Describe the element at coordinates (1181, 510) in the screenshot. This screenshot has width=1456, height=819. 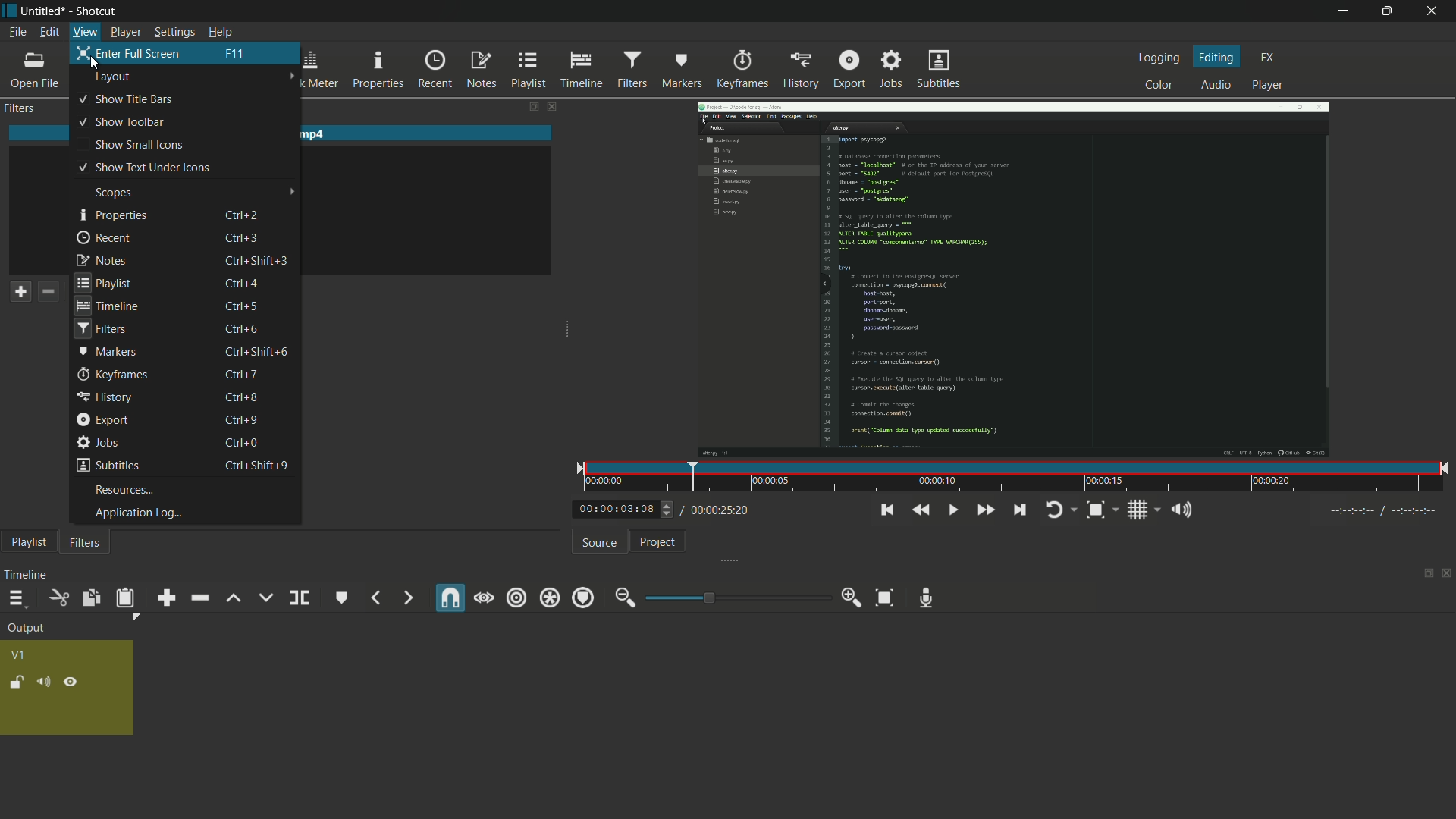
I see `show volume control` at that location.